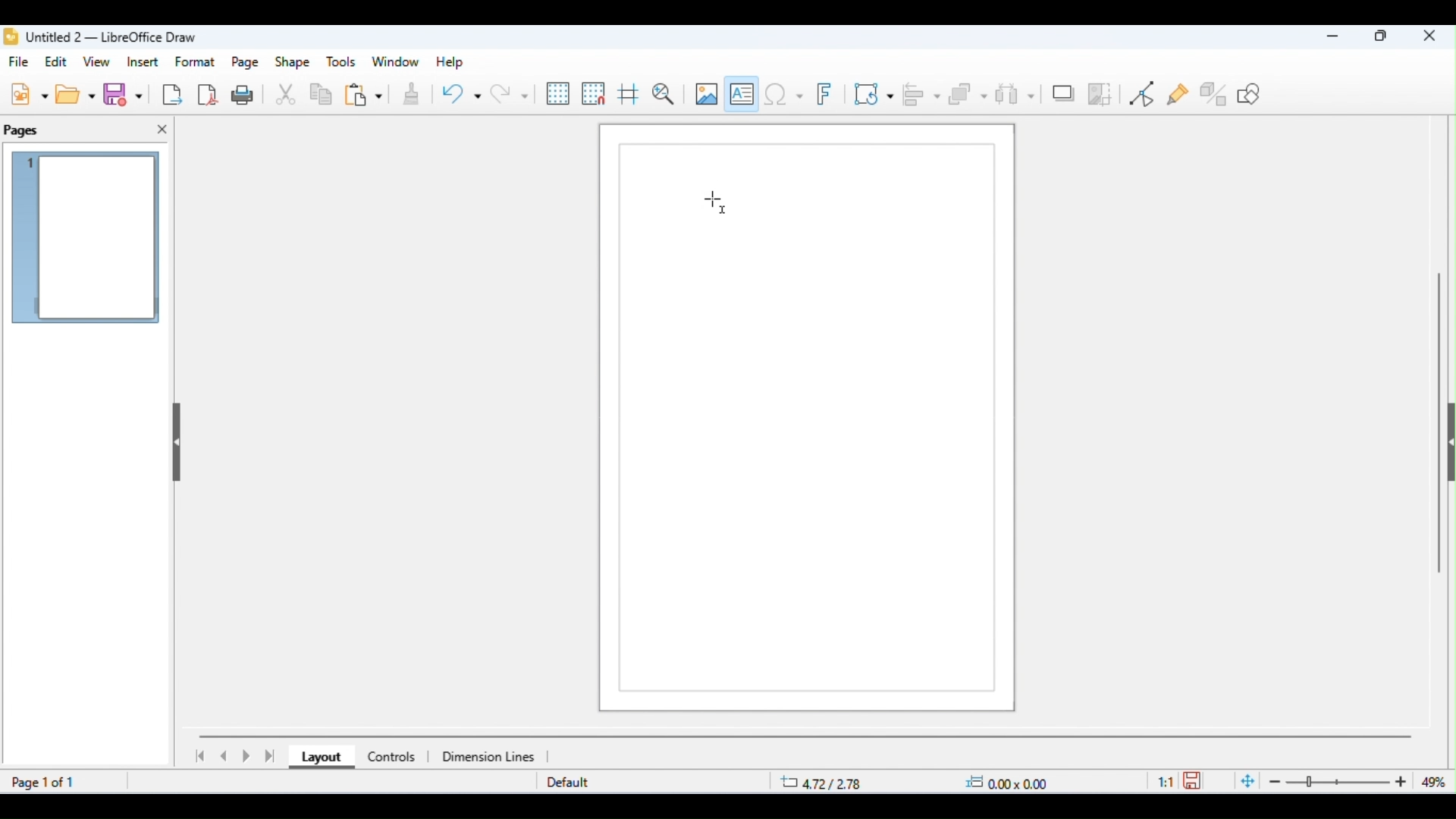 This screenshot has width=1456, height=819. I want to click on view, so click(99, 63).